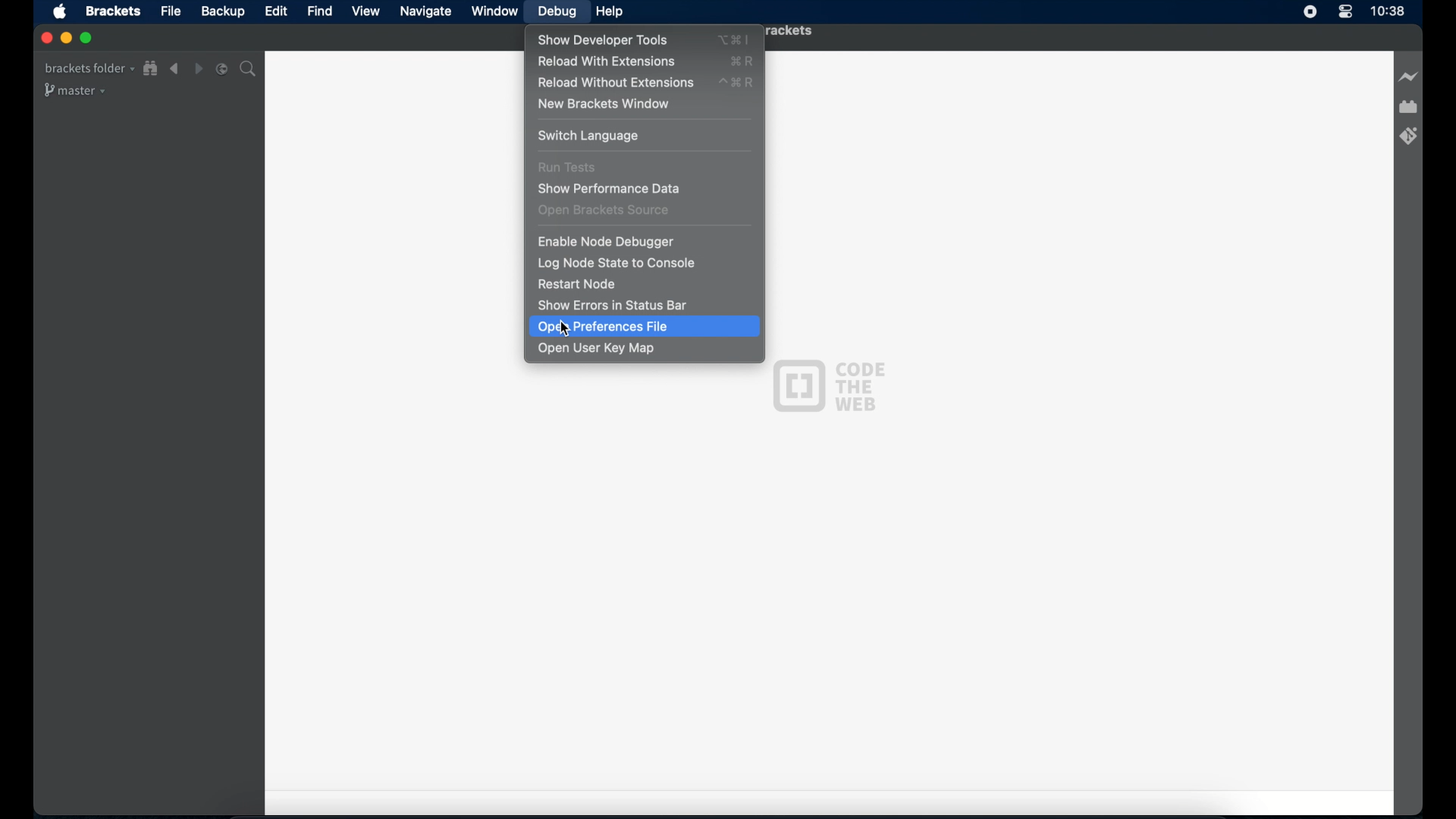 Image resolution: width=1456 pixels, height=819 pixels. Describe the element at coordinates (597, 350) in the screenshot. I see `open user key map` at that location.